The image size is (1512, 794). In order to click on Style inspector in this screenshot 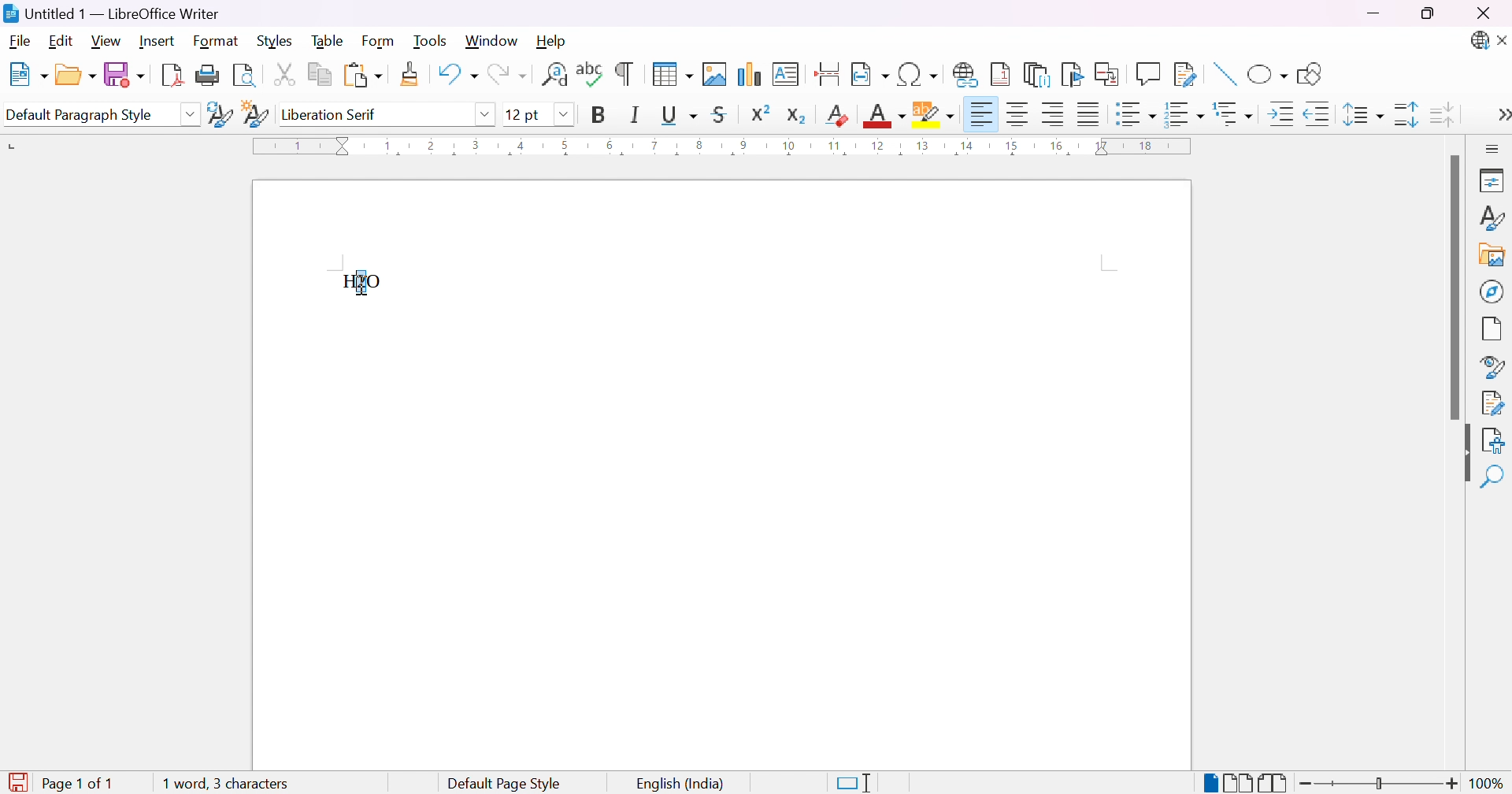, I will do `click(1492, 368)`.